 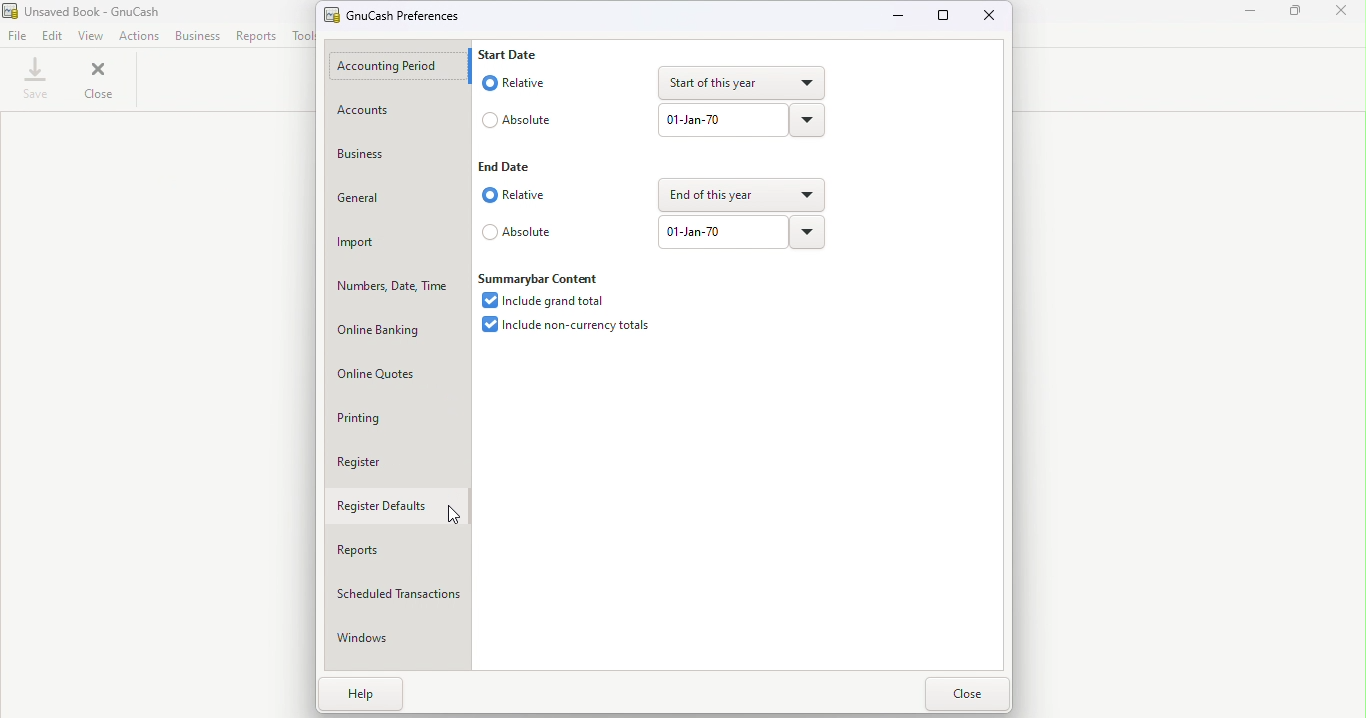 What do you see at coordinates (392, 15) in the screenshot?
I see `File name` at bounding box center [392, 15].